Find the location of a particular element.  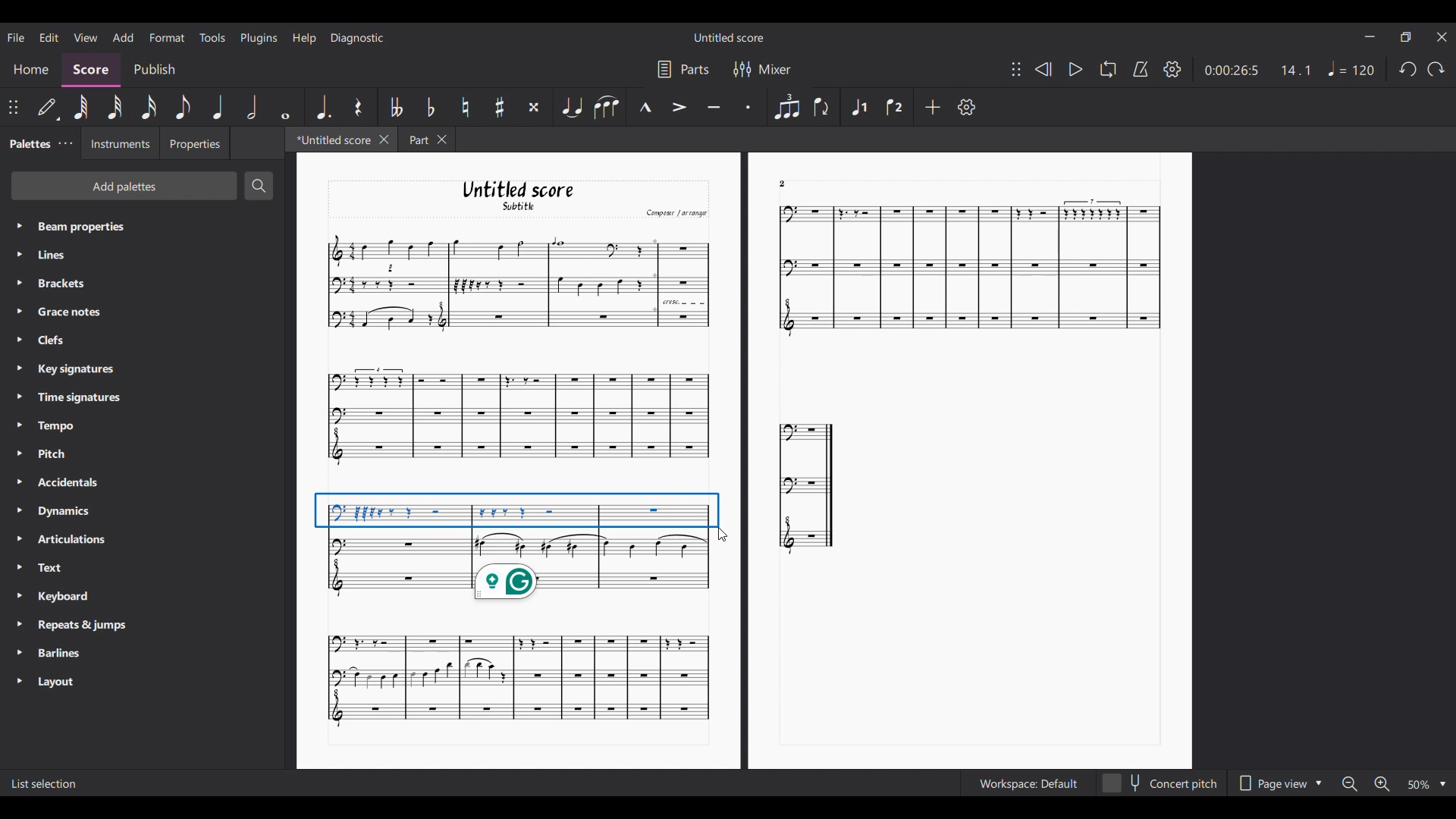

Show in smaller tab is located at coordinates (1405, 37).